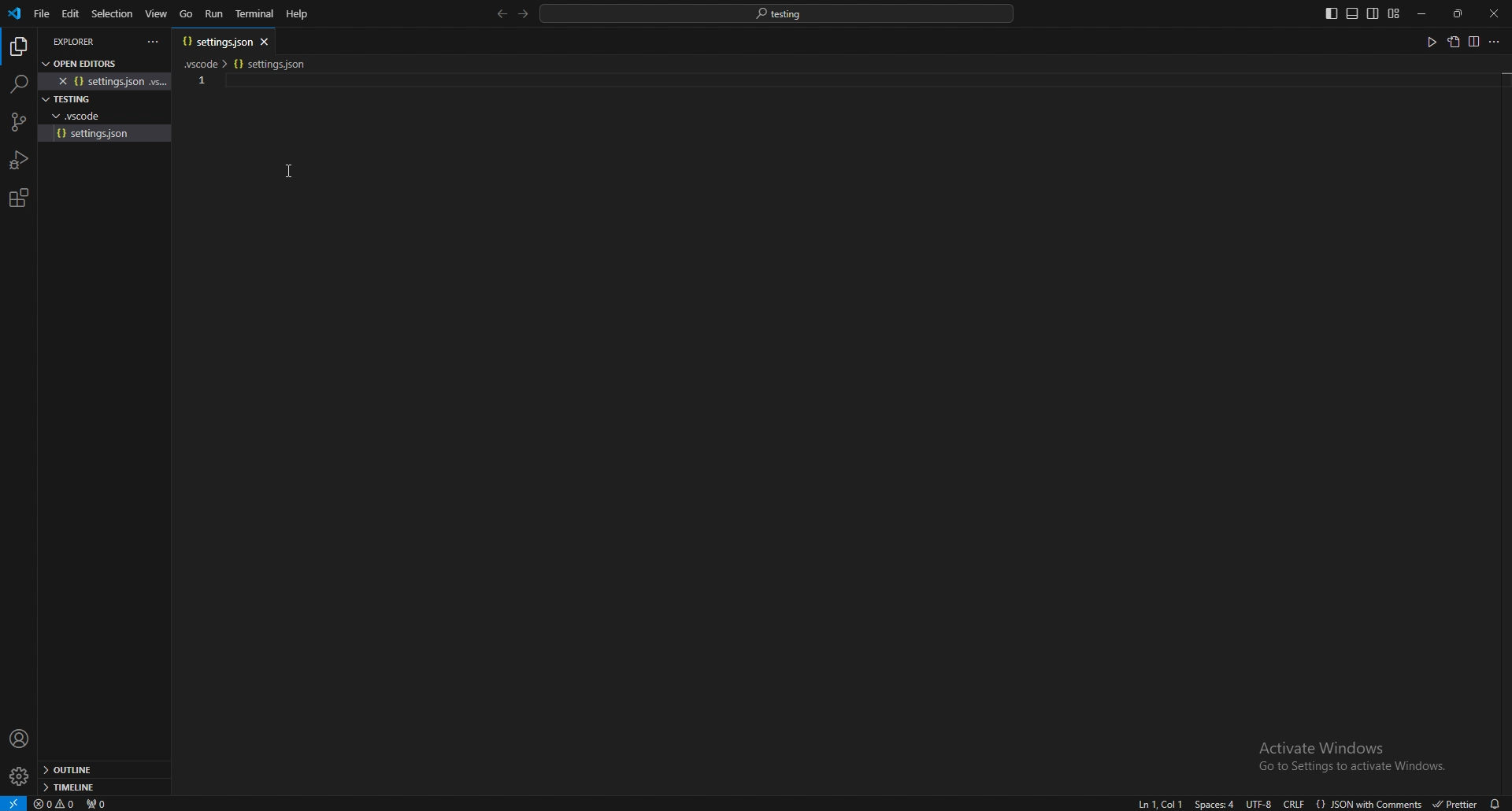 This screenshot has width=1512, height=811. Describe the element at coordinates (777, 13) in the screenshot. I see `search bar` at that location.